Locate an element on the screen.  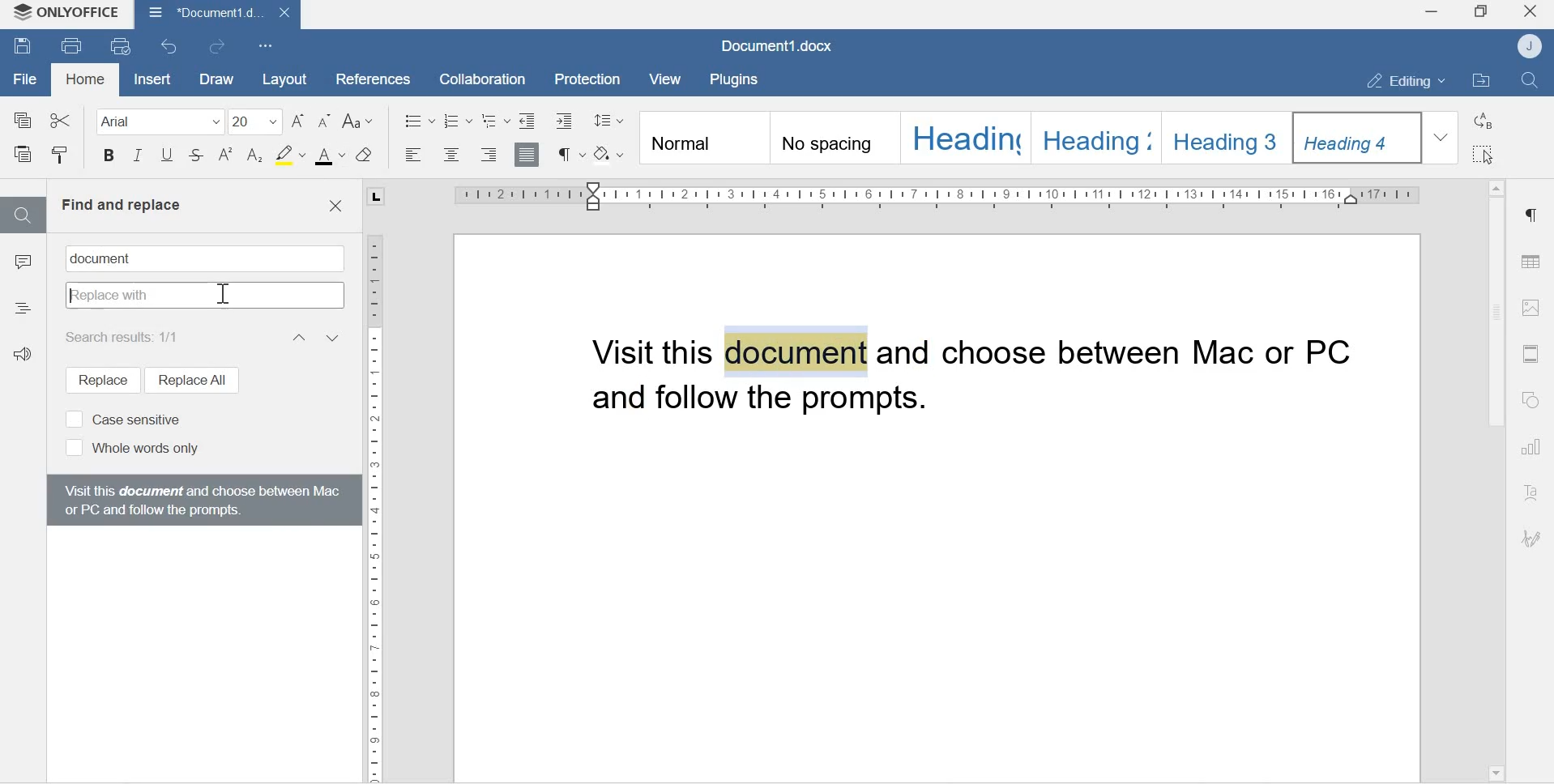
Paste is located at coordinates (25, 156).